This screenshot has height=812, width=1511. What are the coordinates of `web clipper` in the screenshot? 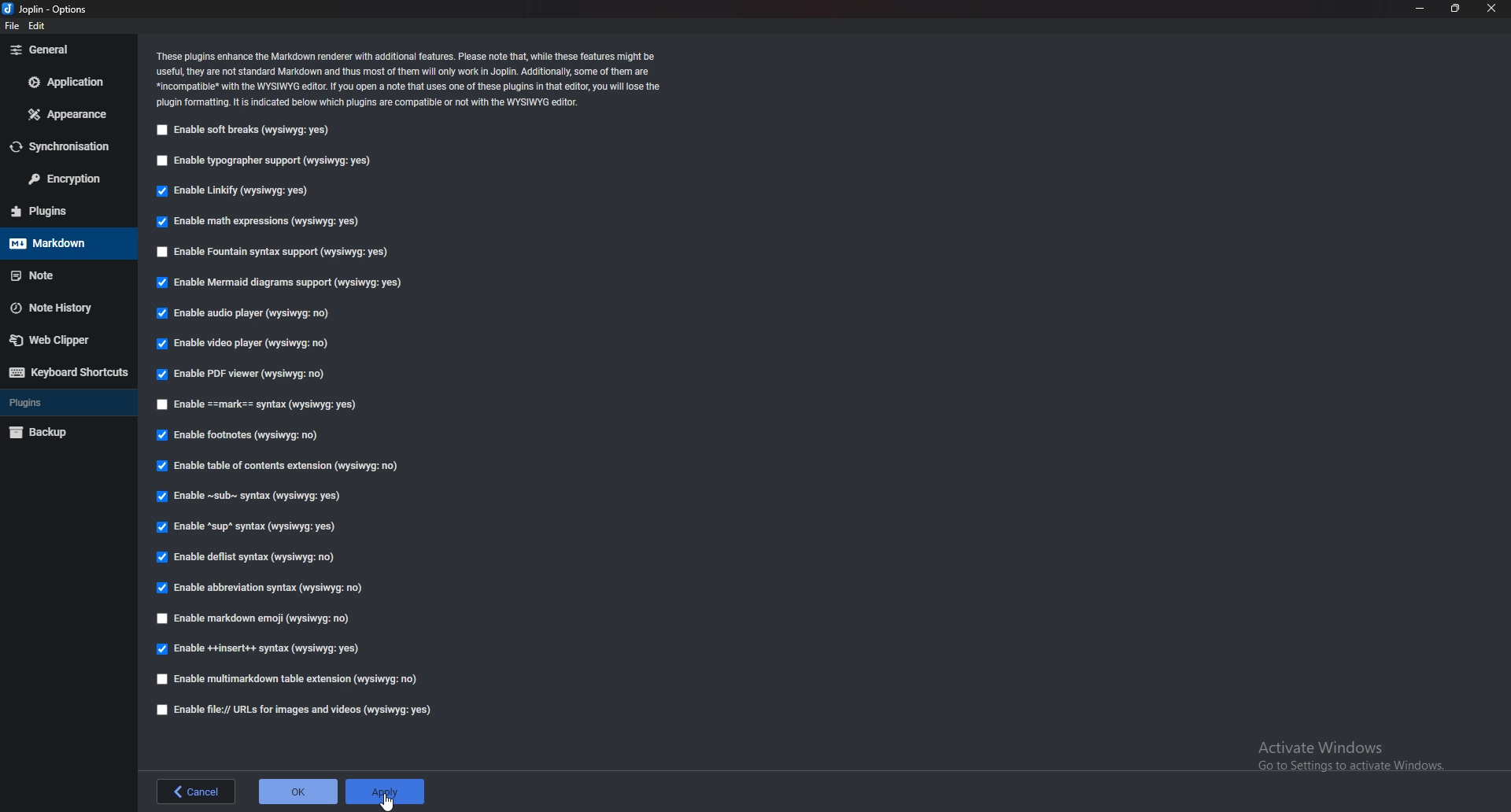 It's located at (66, 339).